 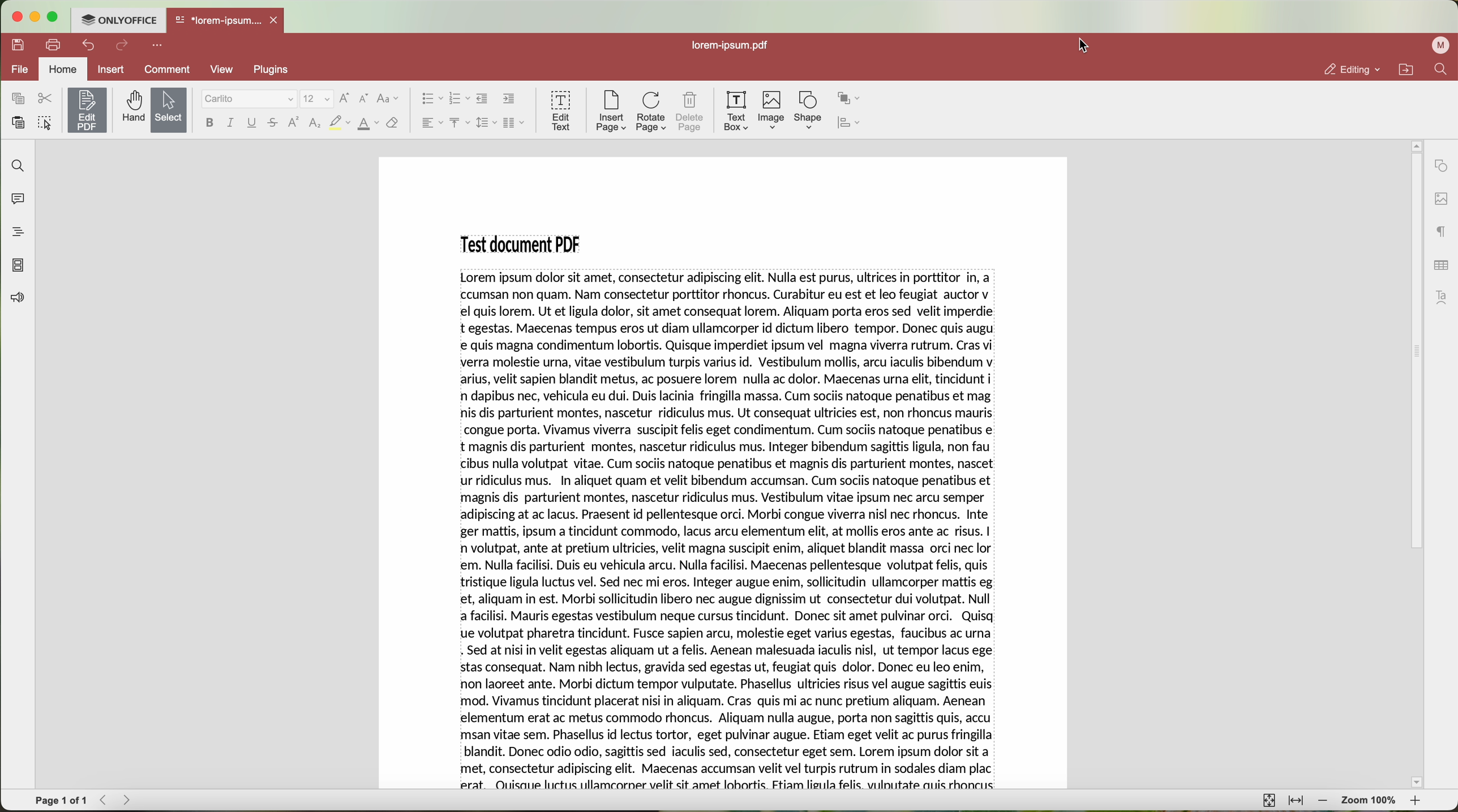 I want to click on customize quick access toolbar, so click(x=158, y=46).